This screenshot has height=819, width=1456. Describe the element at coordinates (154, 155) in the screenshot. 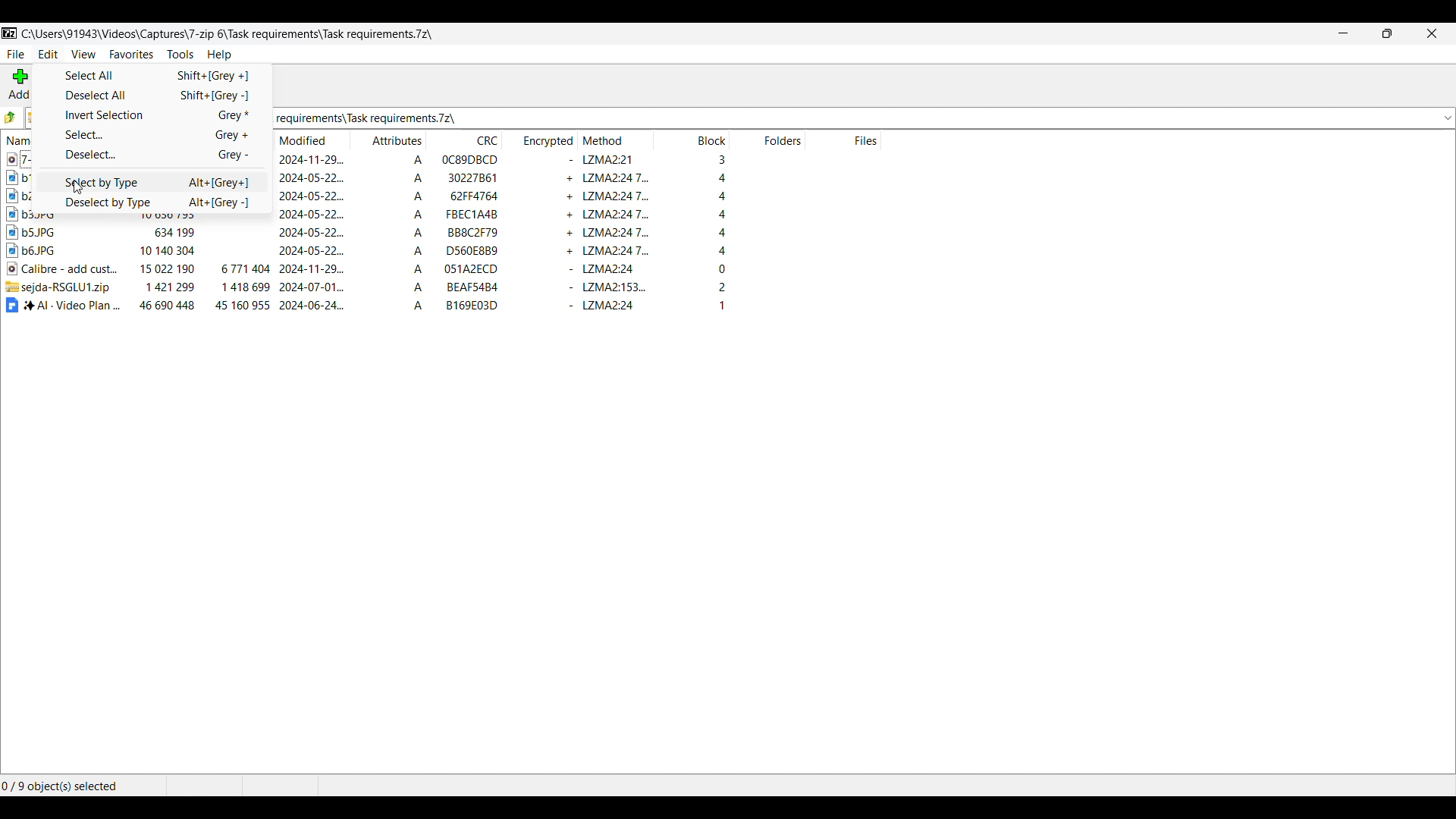

I see `Deselect` at that location.